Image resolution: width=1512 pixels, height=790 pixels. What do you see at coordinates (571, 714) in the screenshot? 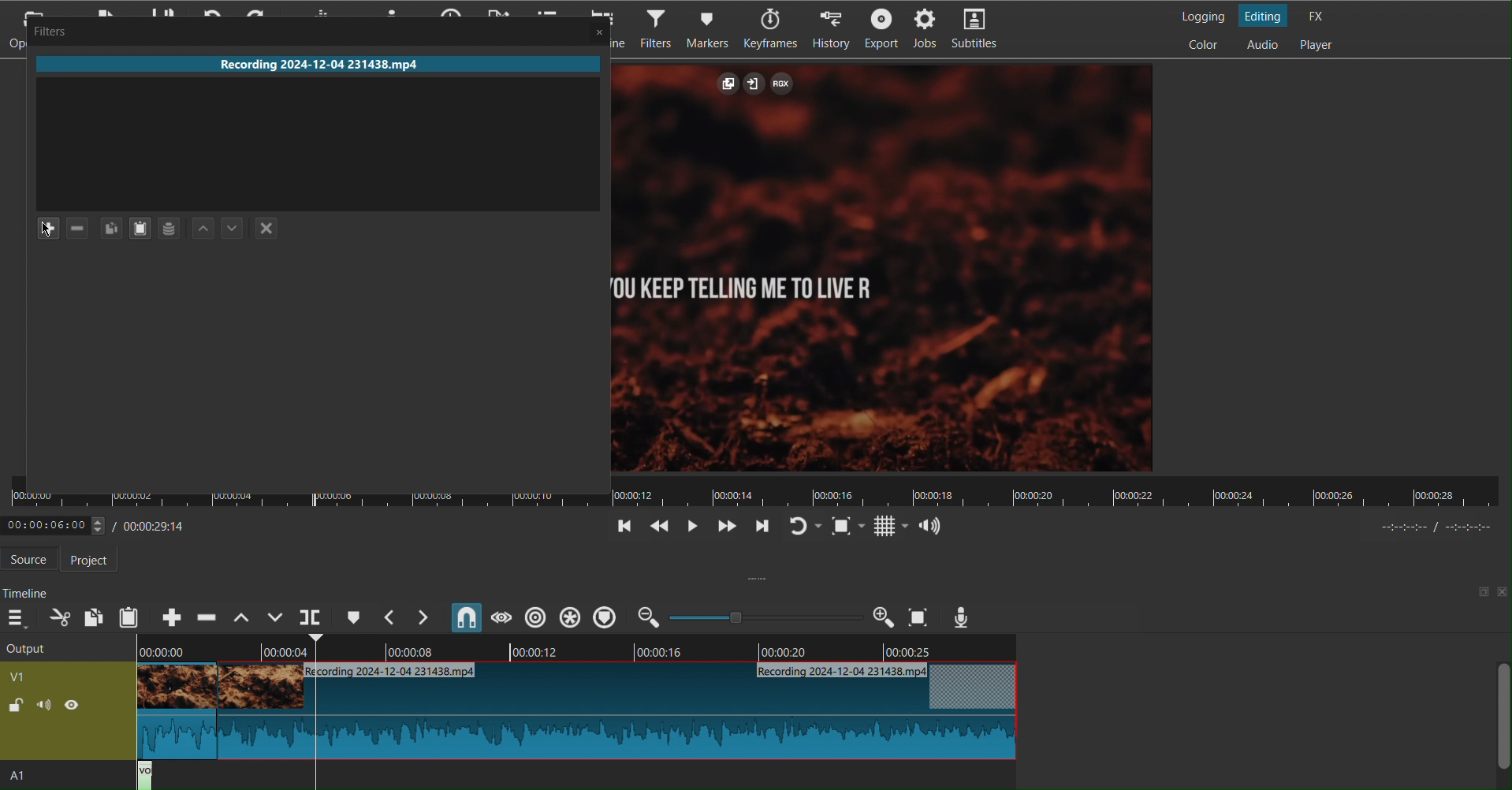
I see `Clip` at bounding box center [571, 714].